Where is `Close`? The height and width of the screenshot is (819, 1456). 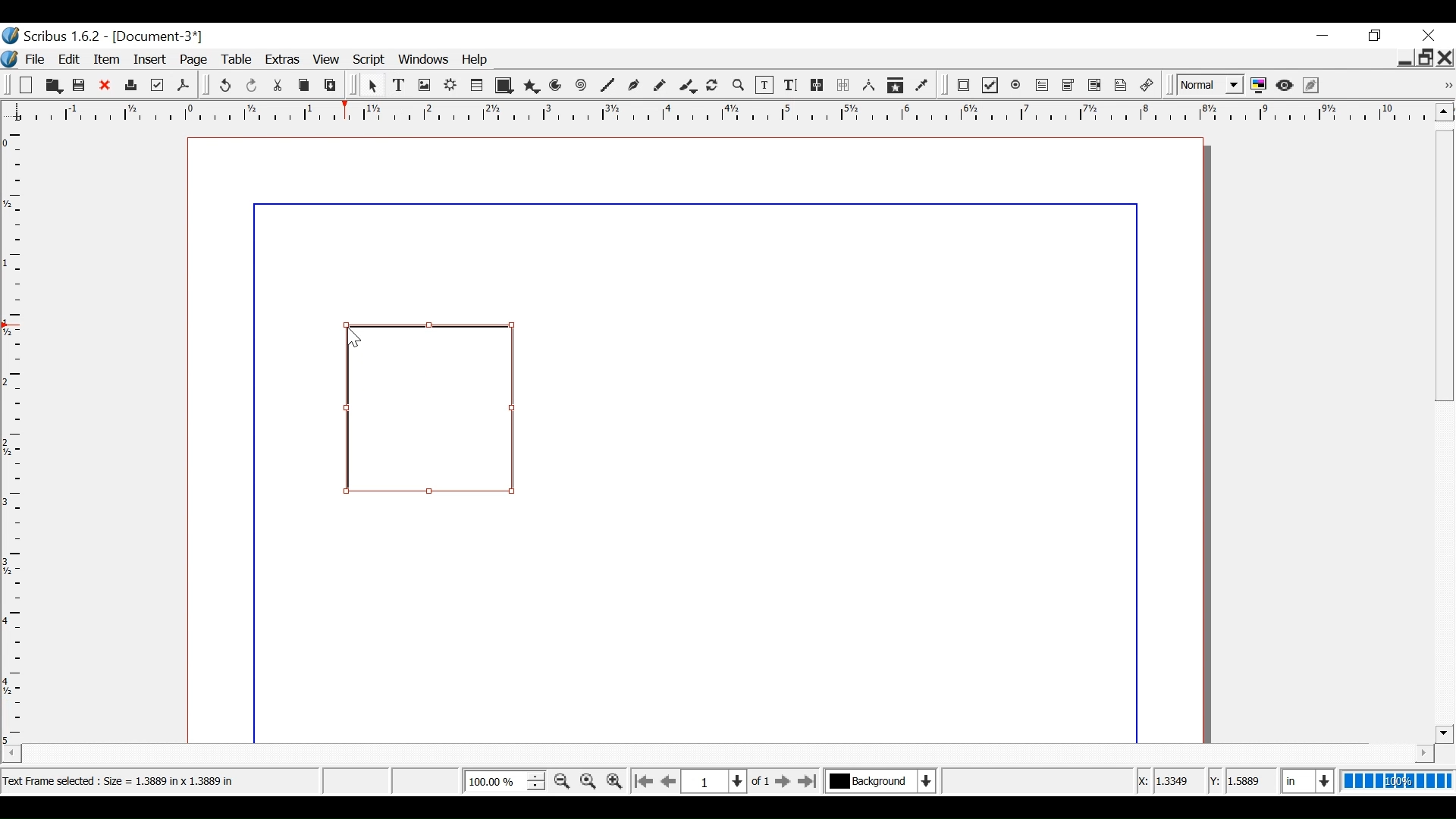 Close is located at coordinates (106, 85).